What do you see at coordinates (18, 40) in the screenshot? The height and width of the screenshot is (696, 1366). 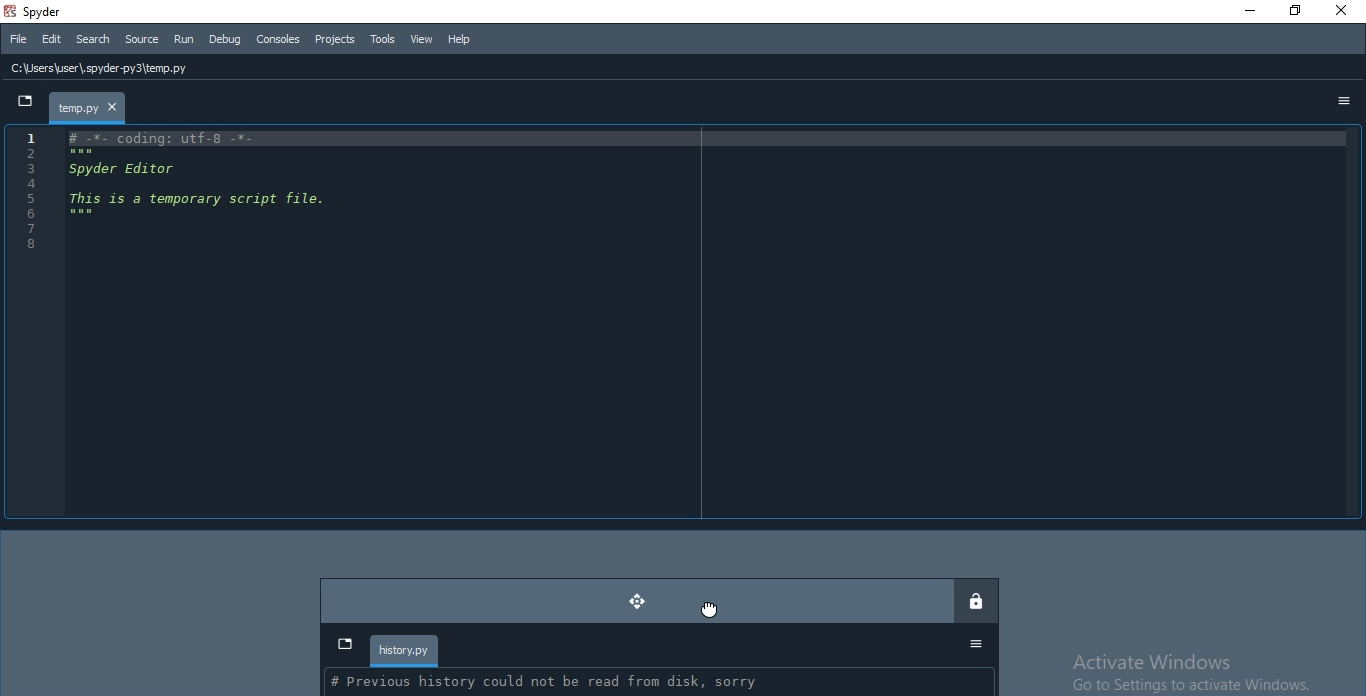 I see `File ` at bounding box center [18, 40].